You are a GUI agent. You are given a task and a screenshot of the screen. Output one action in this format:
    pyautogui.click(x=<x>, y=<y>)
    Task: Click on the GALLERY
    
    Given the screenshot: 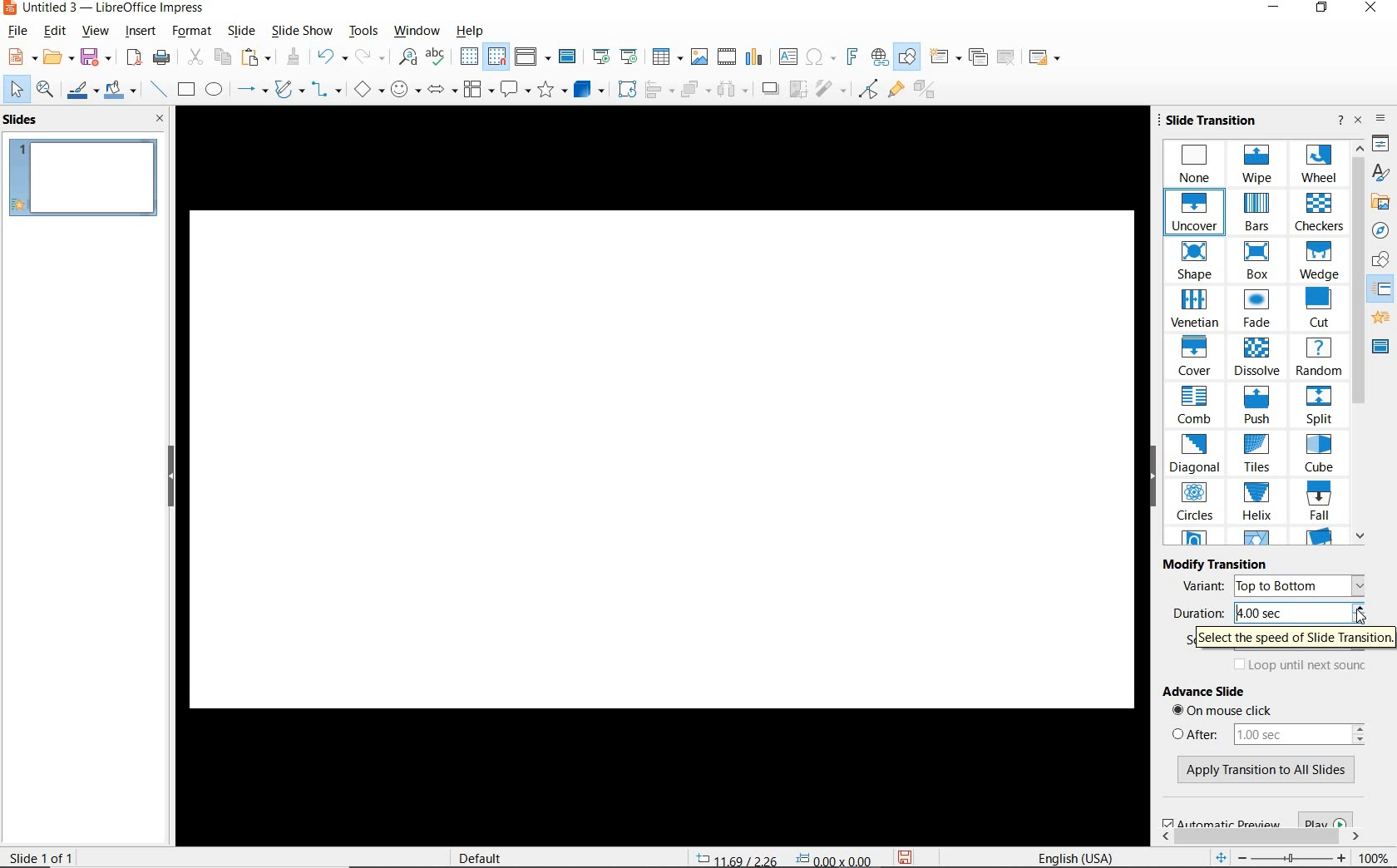 What is the action you would take?
    pyautogui.click(x=1382, y=201)
    